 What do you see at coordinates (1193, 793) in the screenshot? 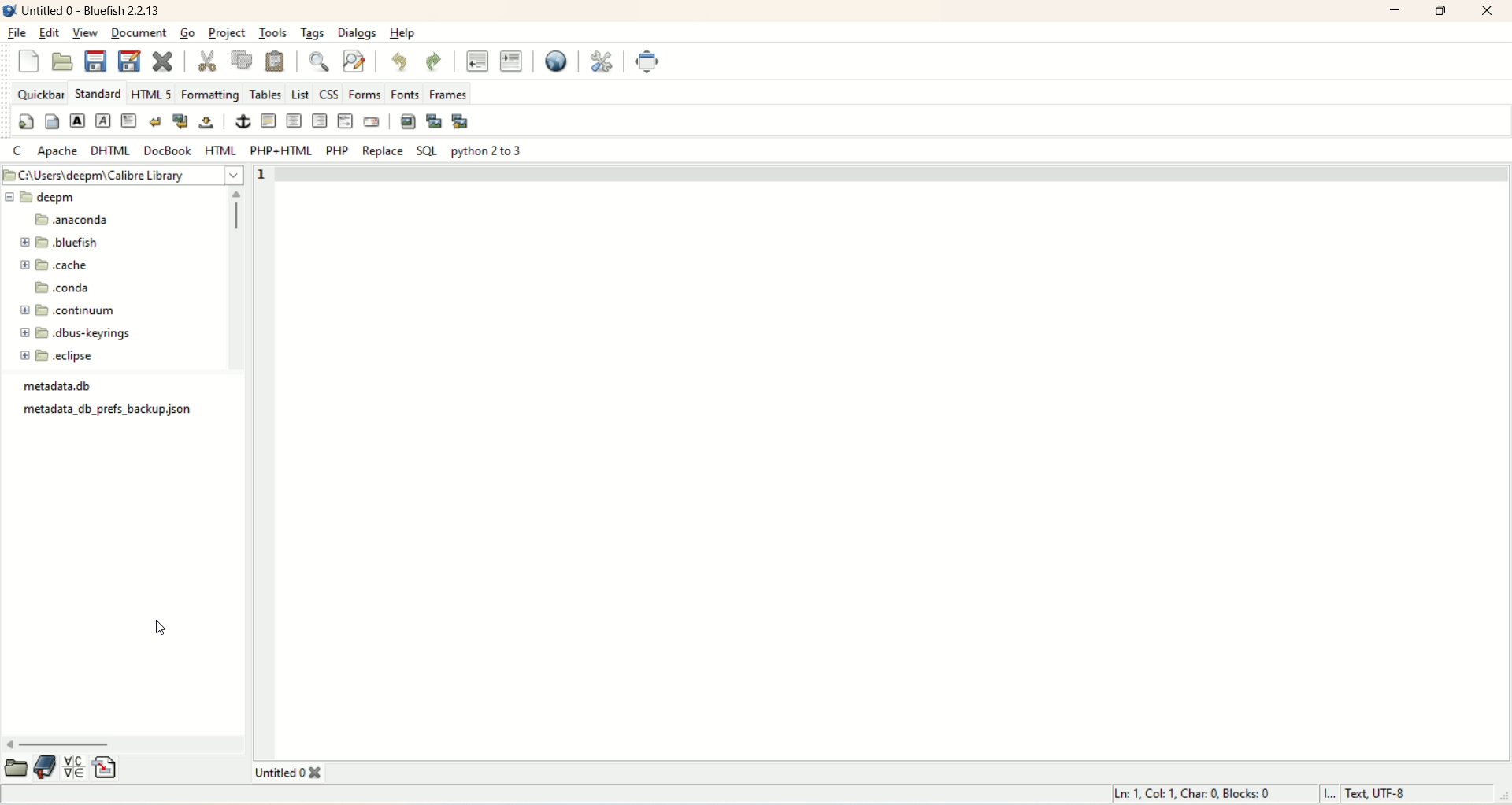
I see `ln, col, char, blocks` at bounding box center [1193, 793].